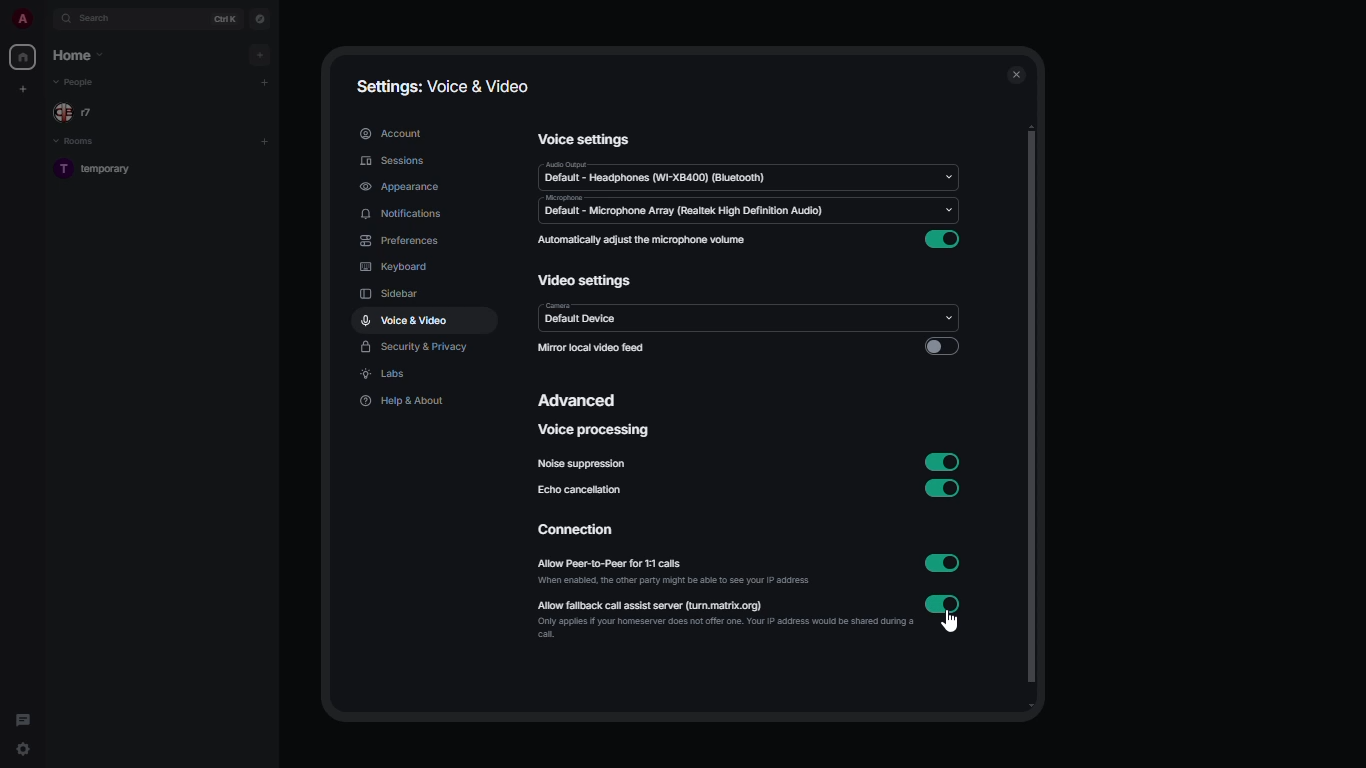  Describe the element at coordinates (94, 18) in the screenshot. I see `search` at that location.